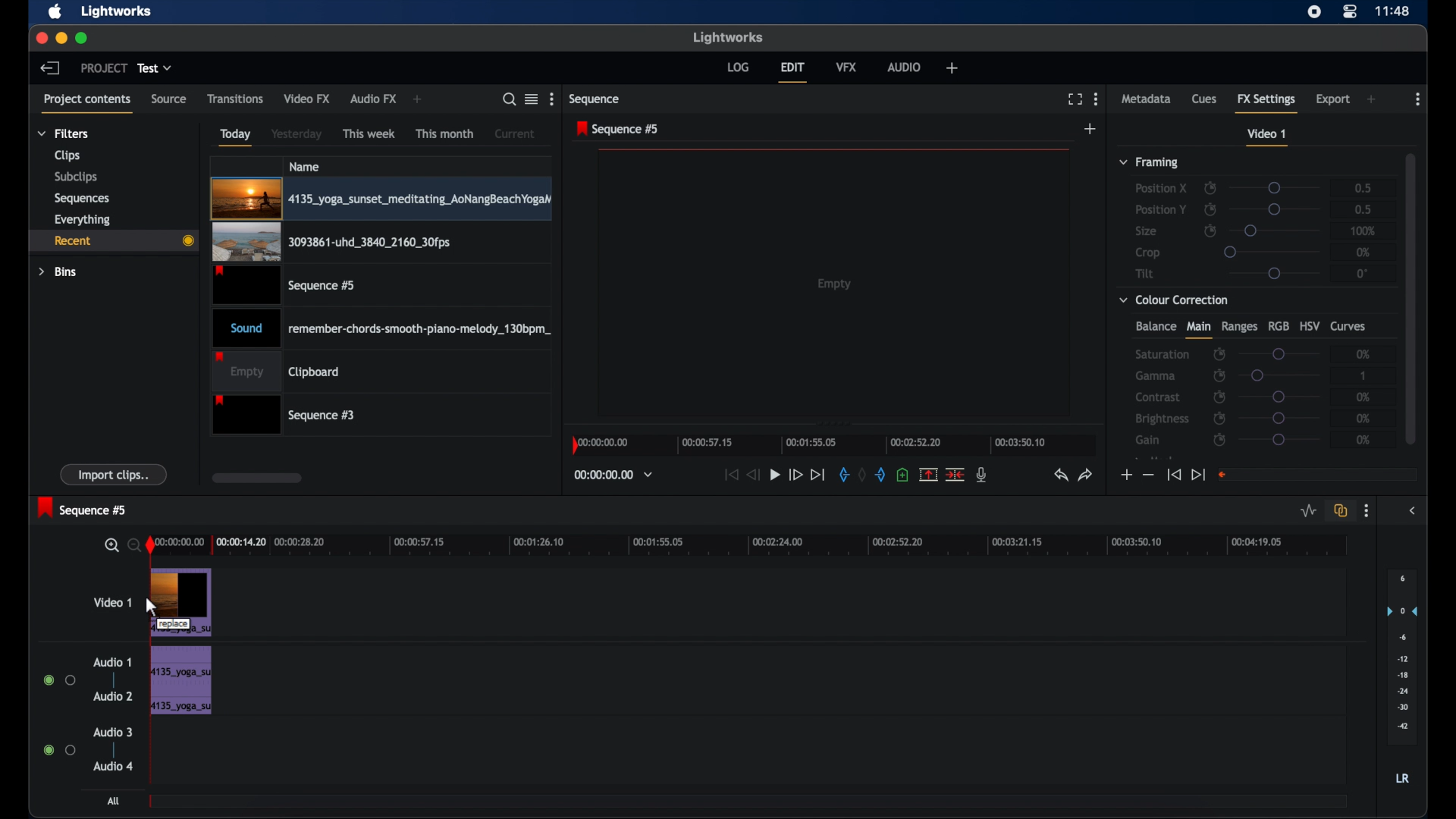 Image resolution: width=1456 pixels, height=819 pixels. I want to click on fx settings, so click(1268, 102).